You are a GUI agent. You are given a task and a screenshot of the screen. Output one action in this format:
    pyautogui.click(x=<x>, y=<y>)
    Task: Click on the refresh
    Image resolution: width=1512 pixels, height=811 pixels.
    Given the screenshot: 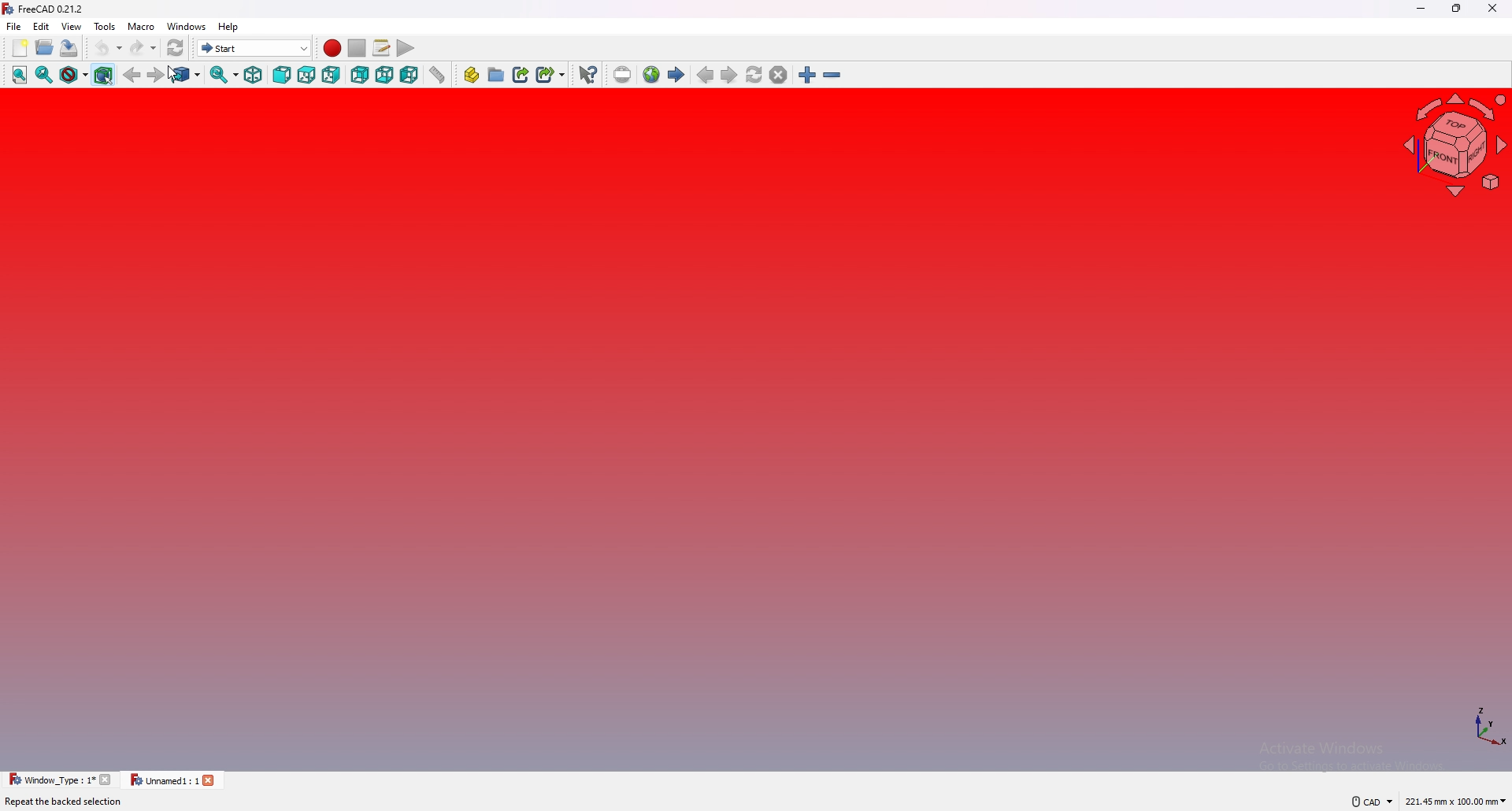 What is the action you would take?
    pyautogui.click(x=176, y=47)
    